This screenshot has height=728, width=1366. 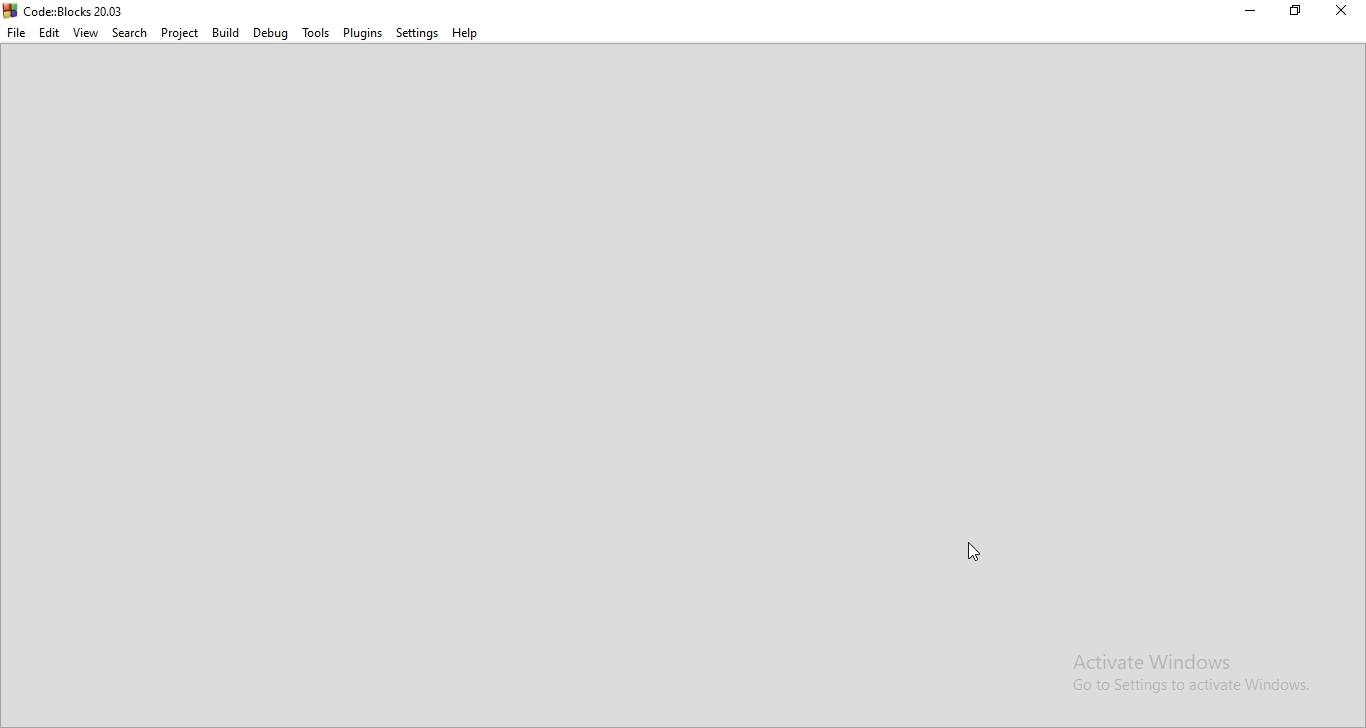 I want to click on Minimise, so click(x=1248, y=12).